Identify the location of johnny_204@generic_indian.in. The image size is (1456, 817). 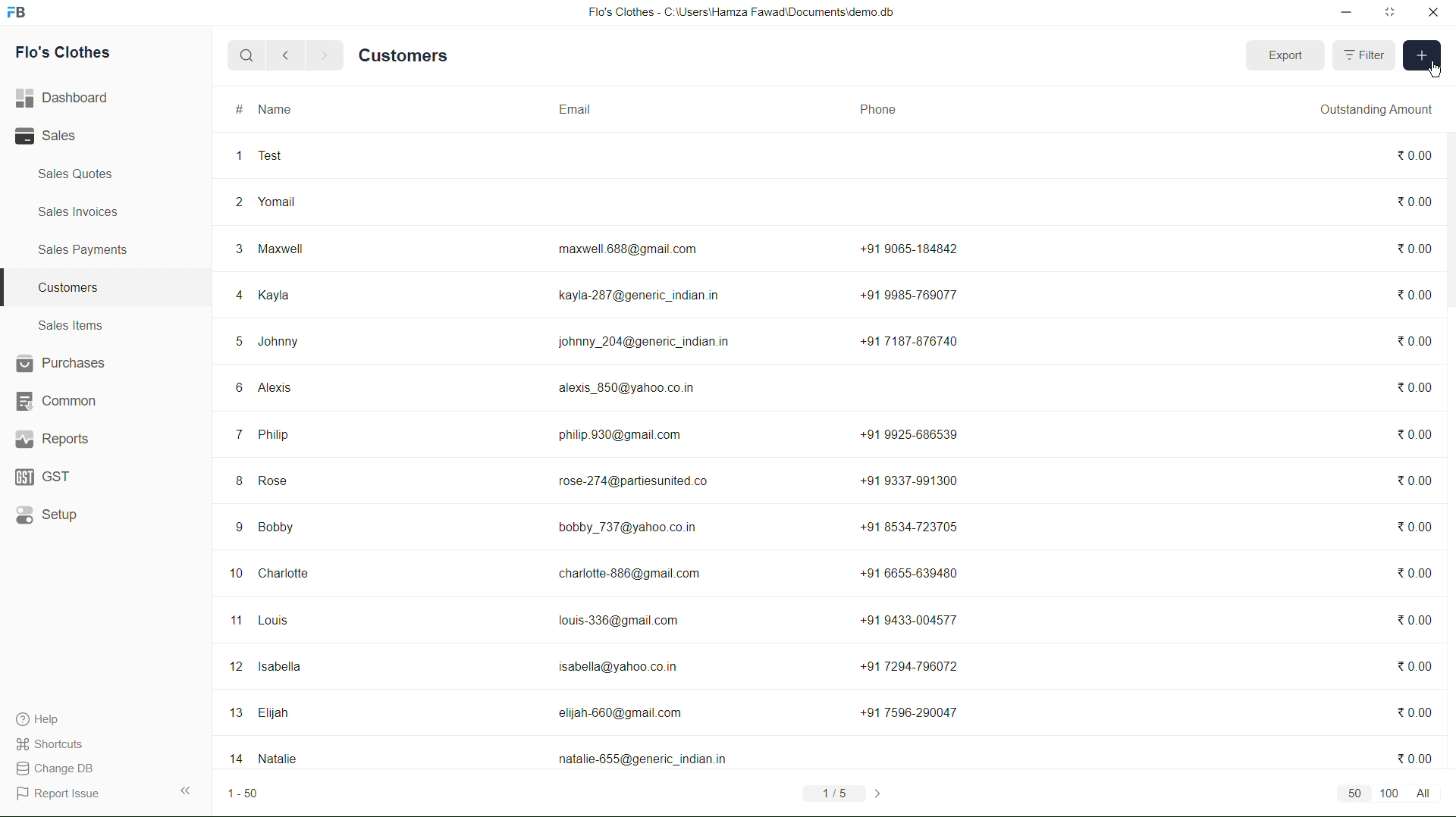
(646, 344).